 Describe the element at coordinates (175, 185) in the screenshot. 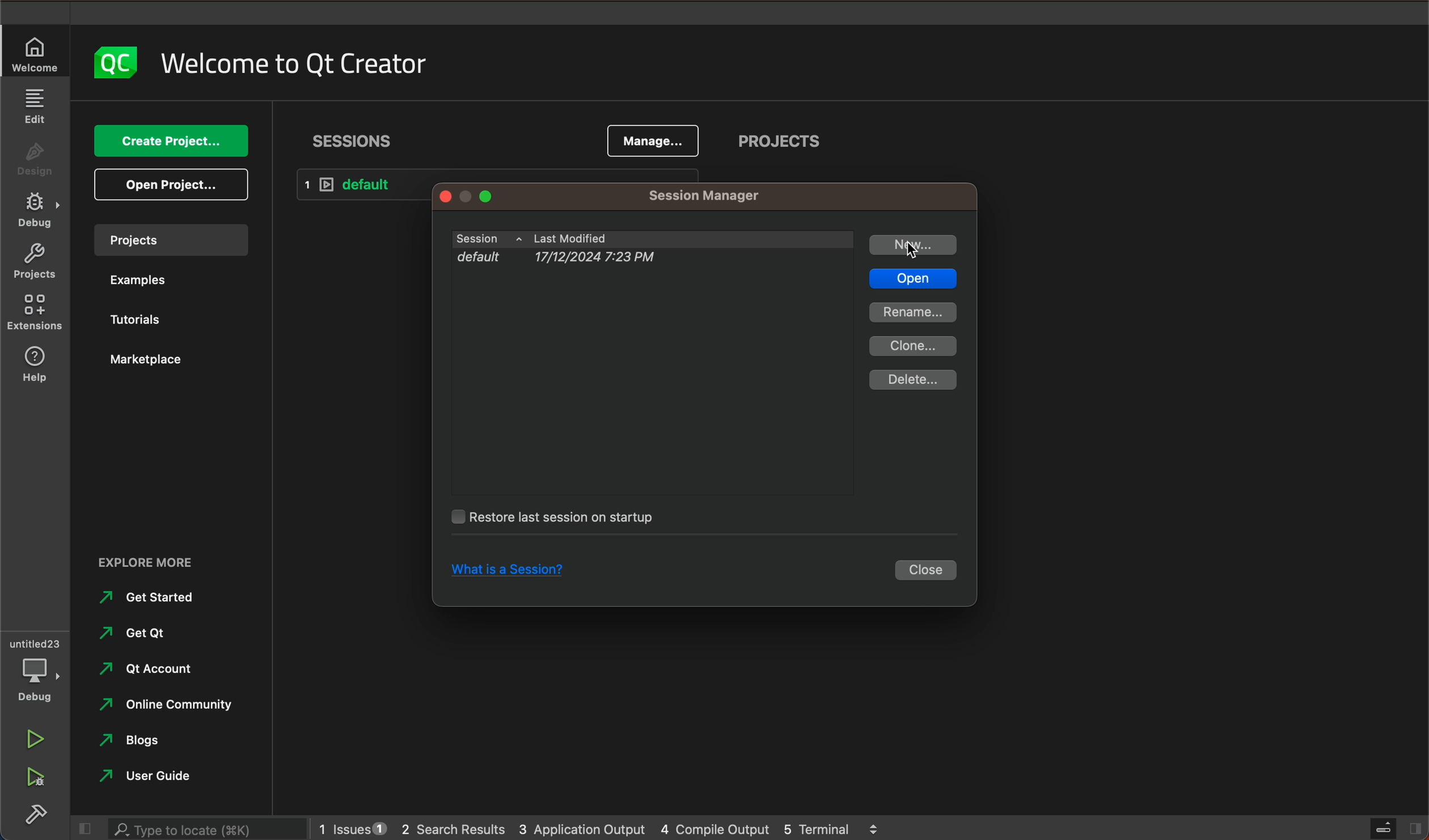

I see `open project` at that location.